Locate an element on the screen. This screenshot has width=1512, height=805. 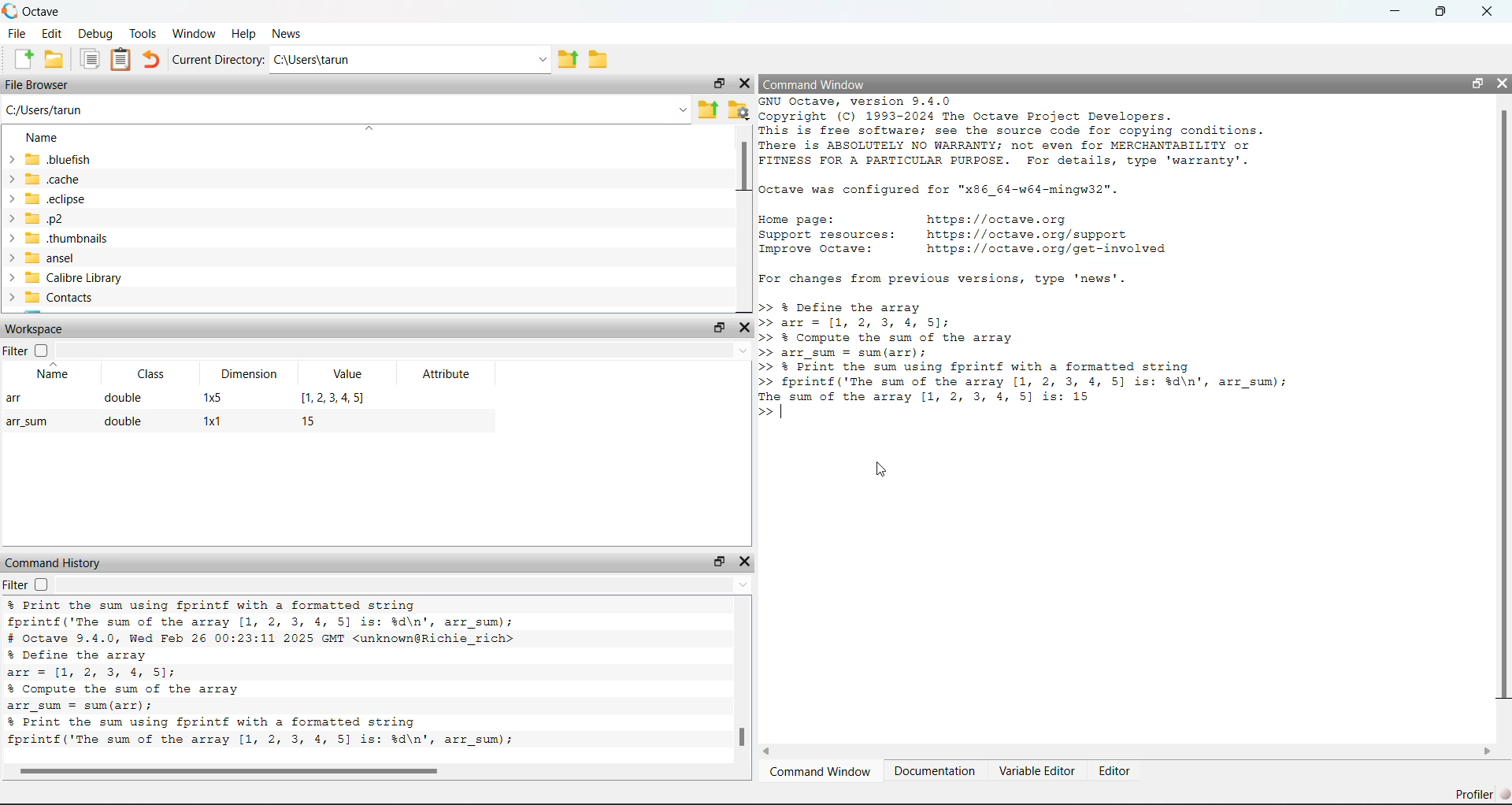
Maximize is located at coordinates (718, 561).